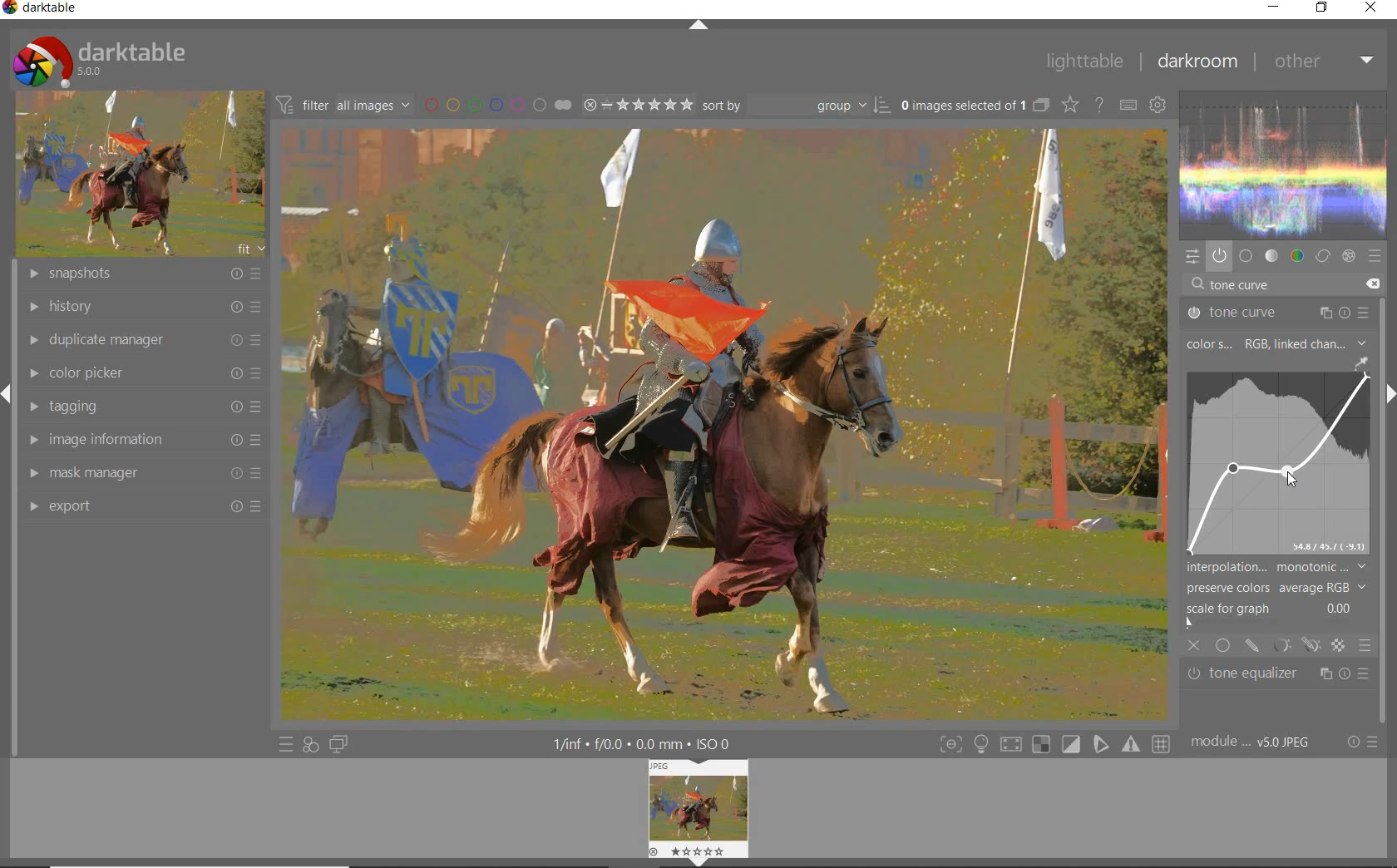  Describe the element at coordinates (1157, 106) in the screenshot. I see `show global preferences` at that location.